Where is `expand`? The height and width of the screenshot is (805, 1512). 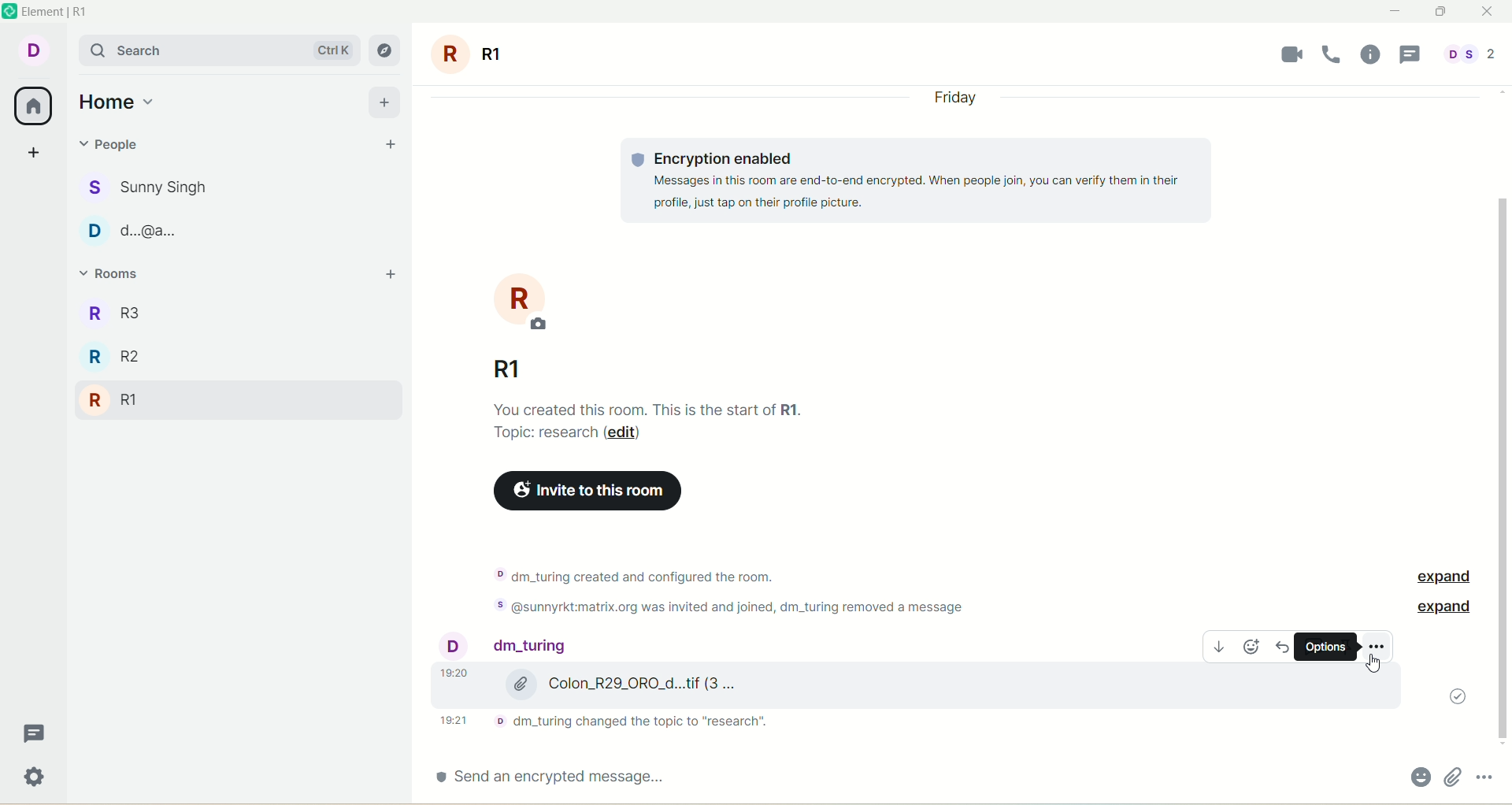 expand is located at coordinates (1443, 608).